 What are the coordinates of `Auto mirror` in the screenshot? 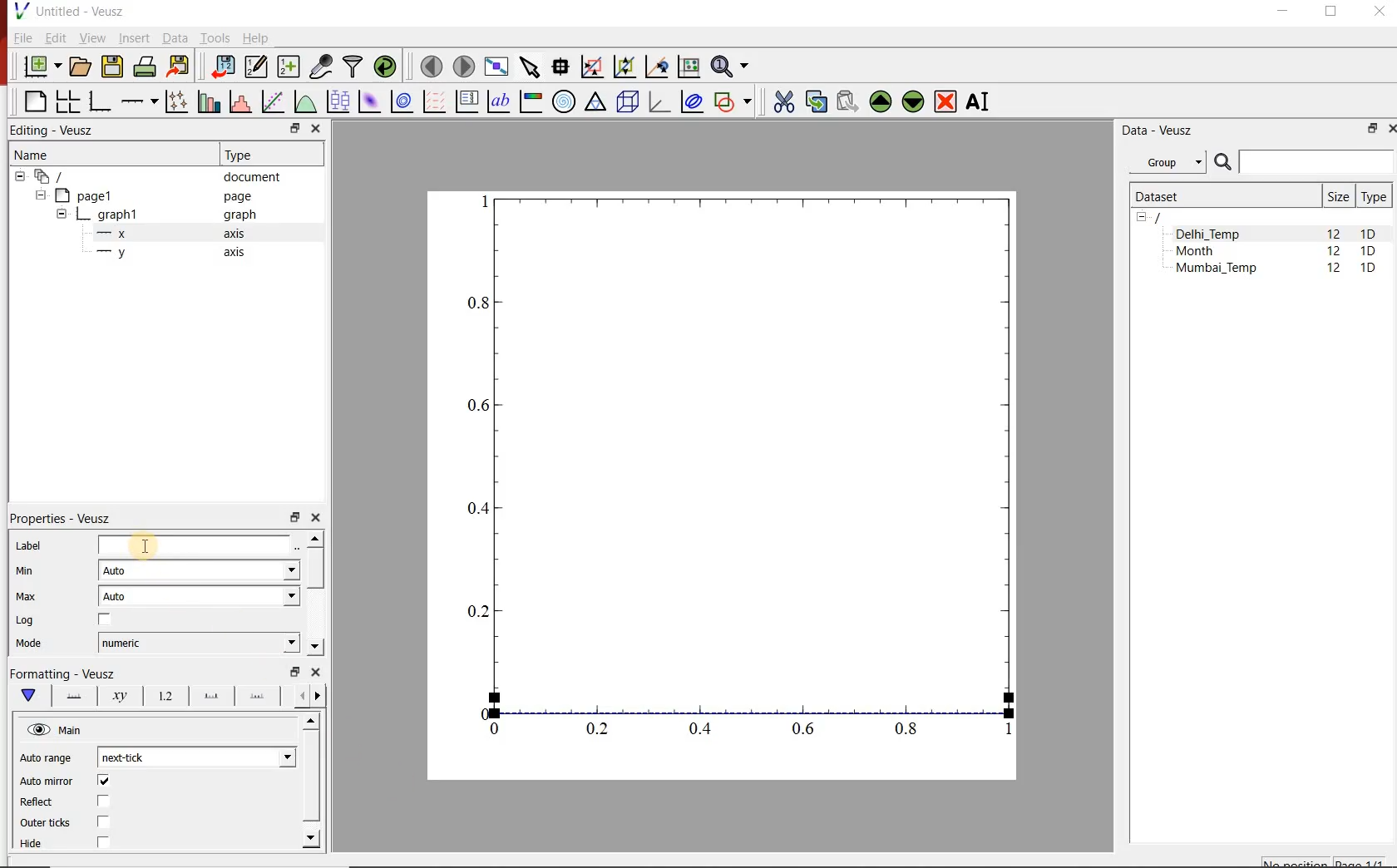 It's located at (47, 782).